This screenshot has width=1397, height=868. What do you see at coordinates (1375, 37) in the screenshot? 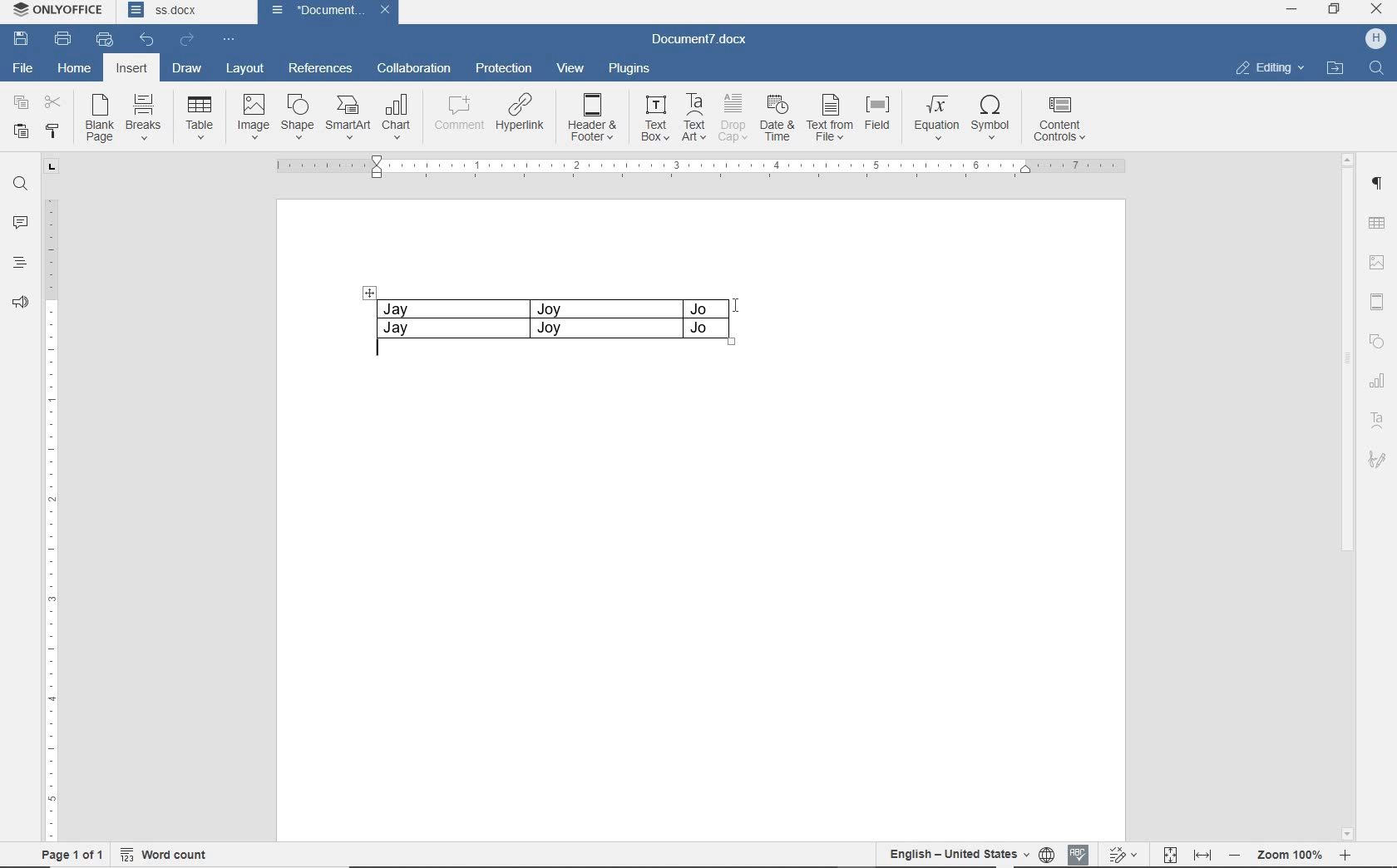
I see `HP` at bounding box center [1375, 37].